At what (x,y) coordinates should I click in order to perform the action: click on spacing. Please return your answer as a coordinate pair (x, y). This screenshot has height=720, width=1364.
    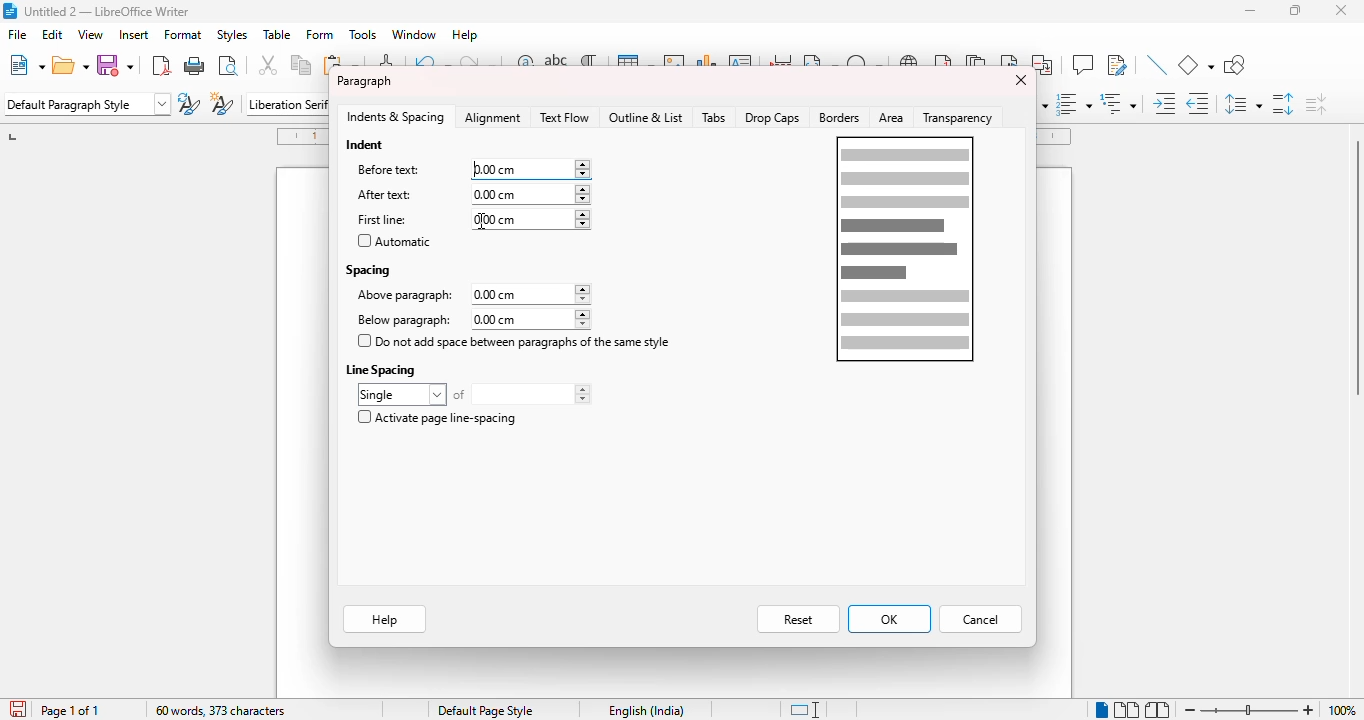
    Looking at the image, I should click on (369, 269).